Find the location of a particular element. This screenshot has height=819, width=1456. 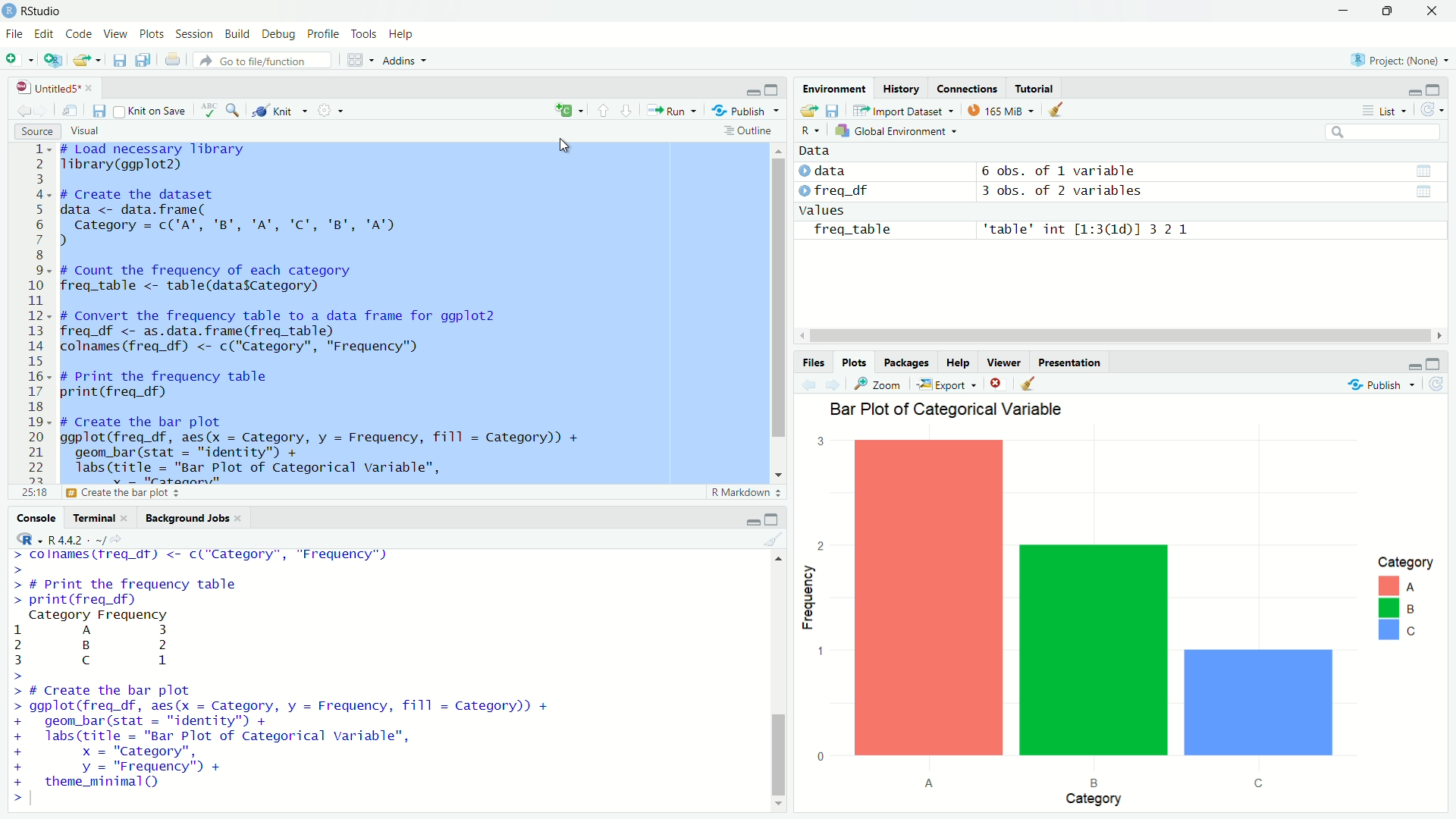

Create the bar plot is located at coordinates (164, 493).